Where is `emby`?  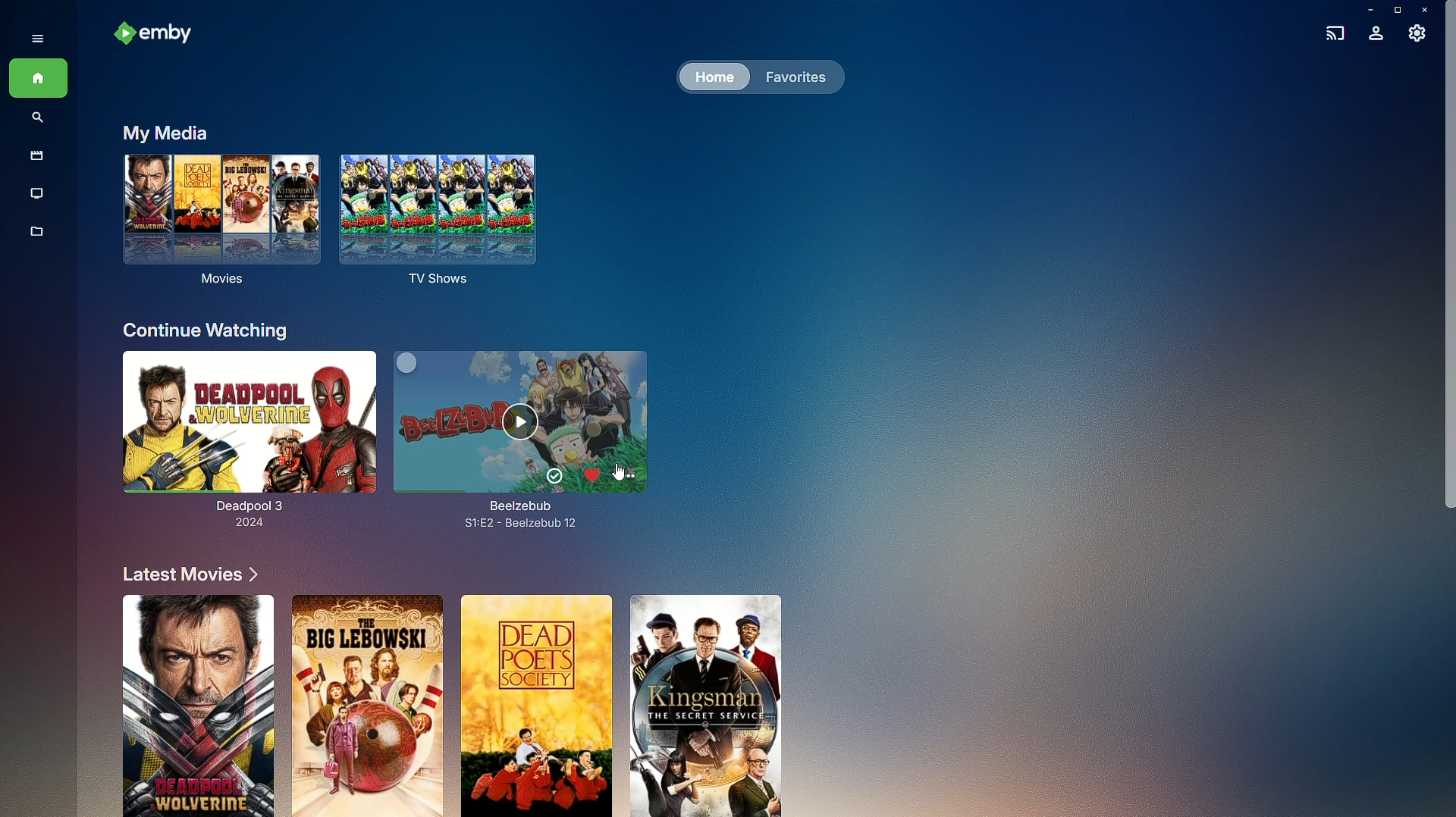 emby is located at coordinates (159, 35).